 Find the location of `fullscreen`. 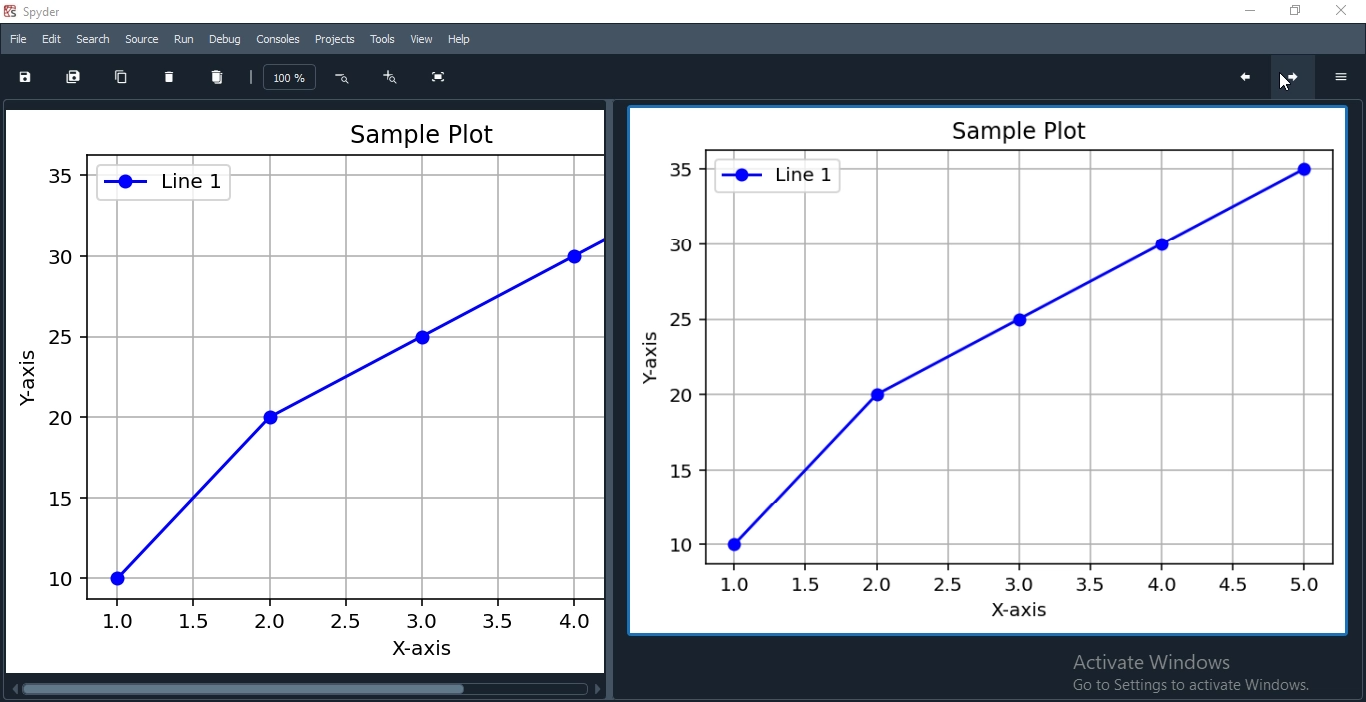

fullscreen is located at coordinates (435, 78).